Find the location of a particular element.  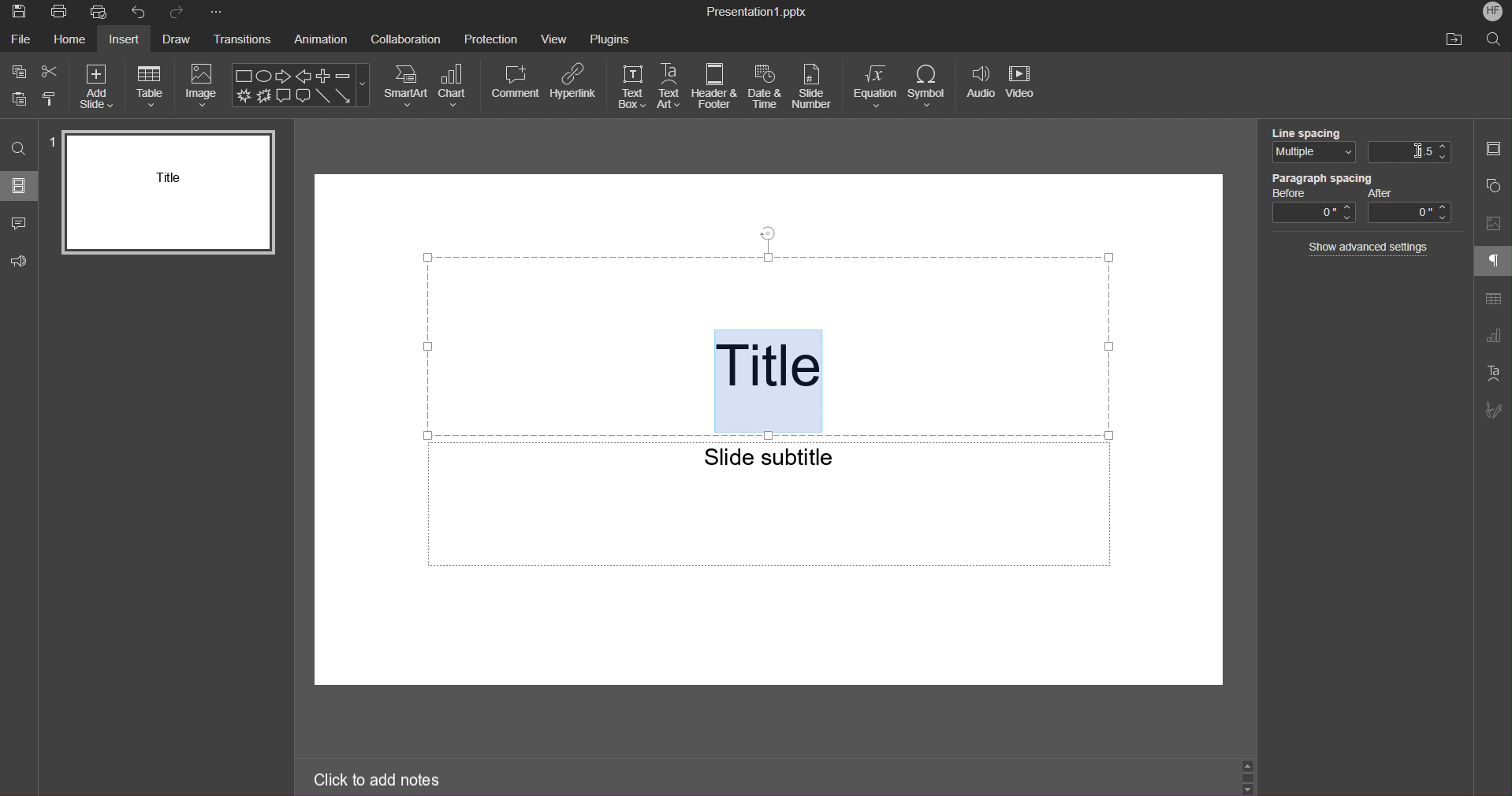

0.01 is located at coordinates (1411, 151).